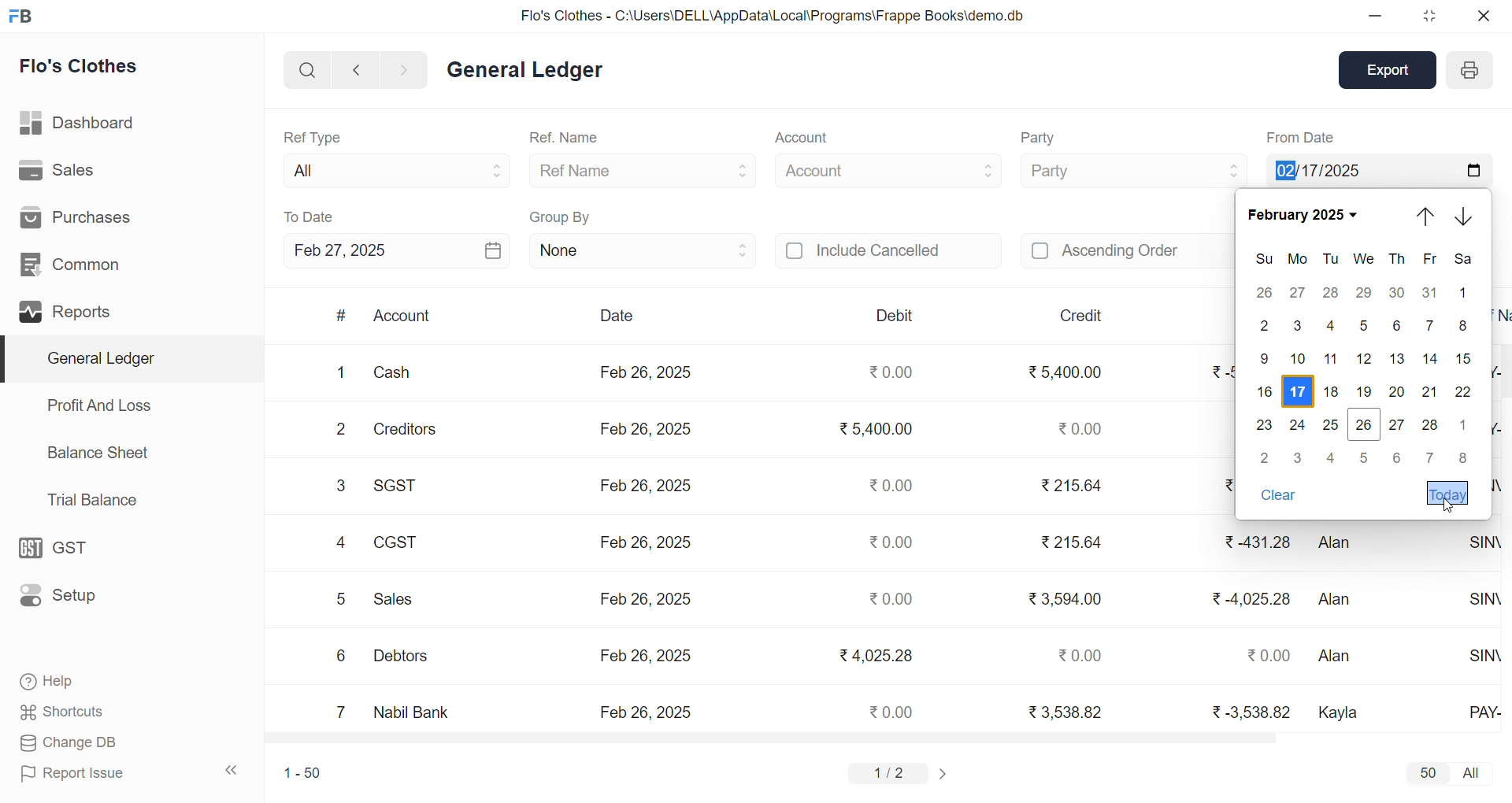 Image resolution: width=1512 pixels, height=803 pixels. What do you see at coordinates (616, 316) in the screenshot?
I see `Date` at bounding box center [616, 316].